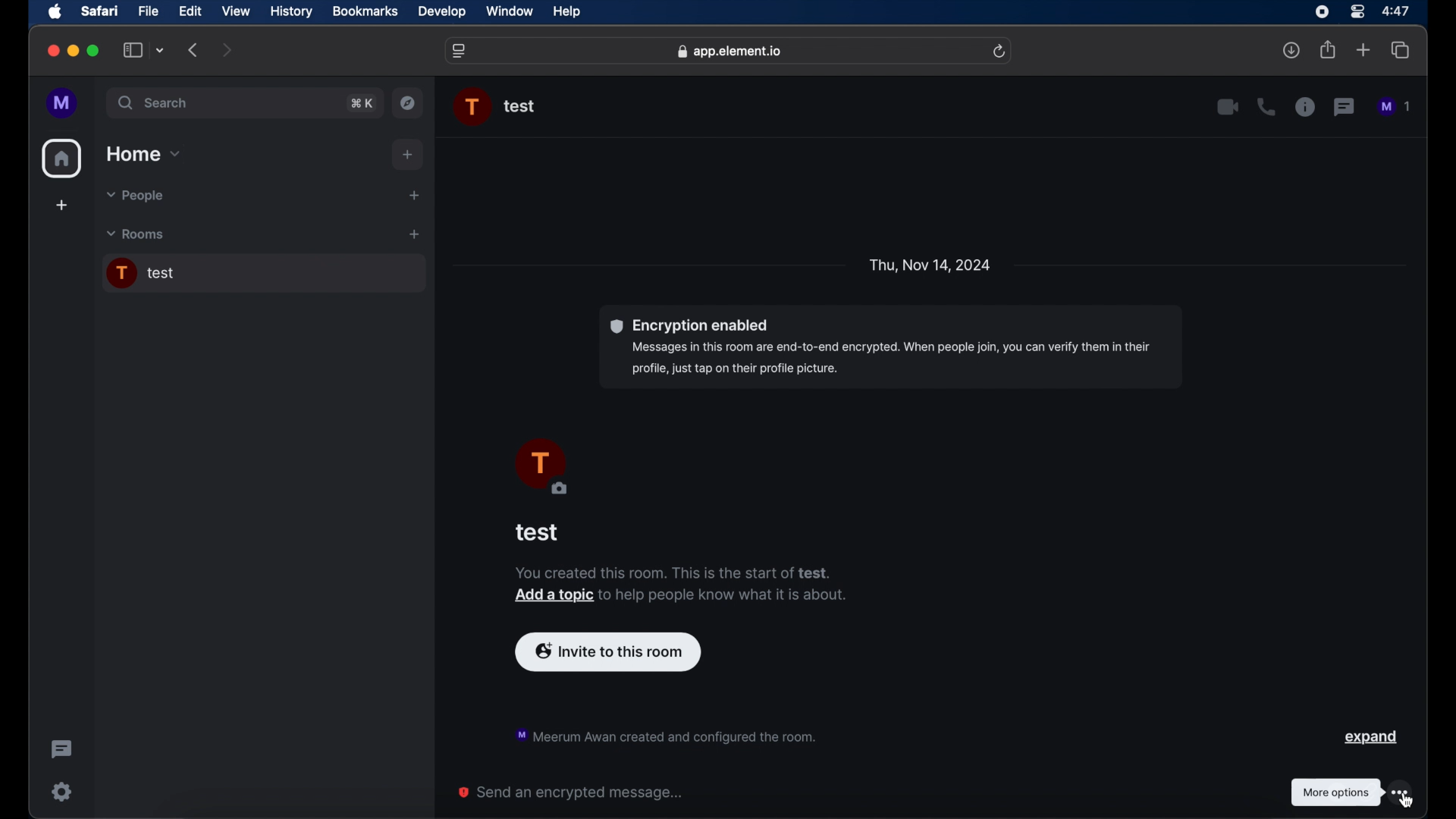 The width and height of the screenshot is (1456, 819). I want to click on next, so click(227, 49).